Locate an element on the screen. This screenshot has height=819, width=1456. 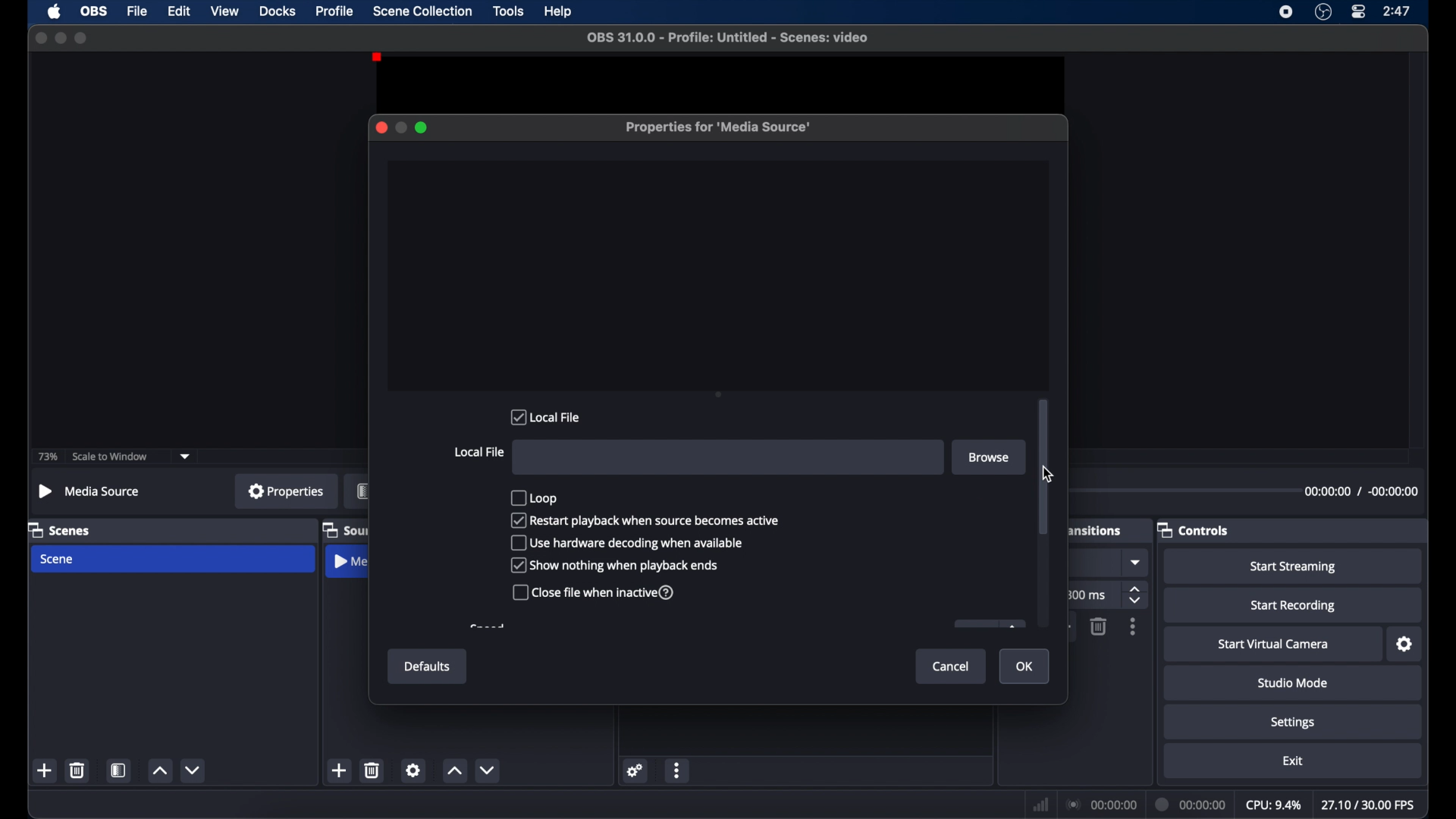
dropdown is located at coordinates (186, 457).